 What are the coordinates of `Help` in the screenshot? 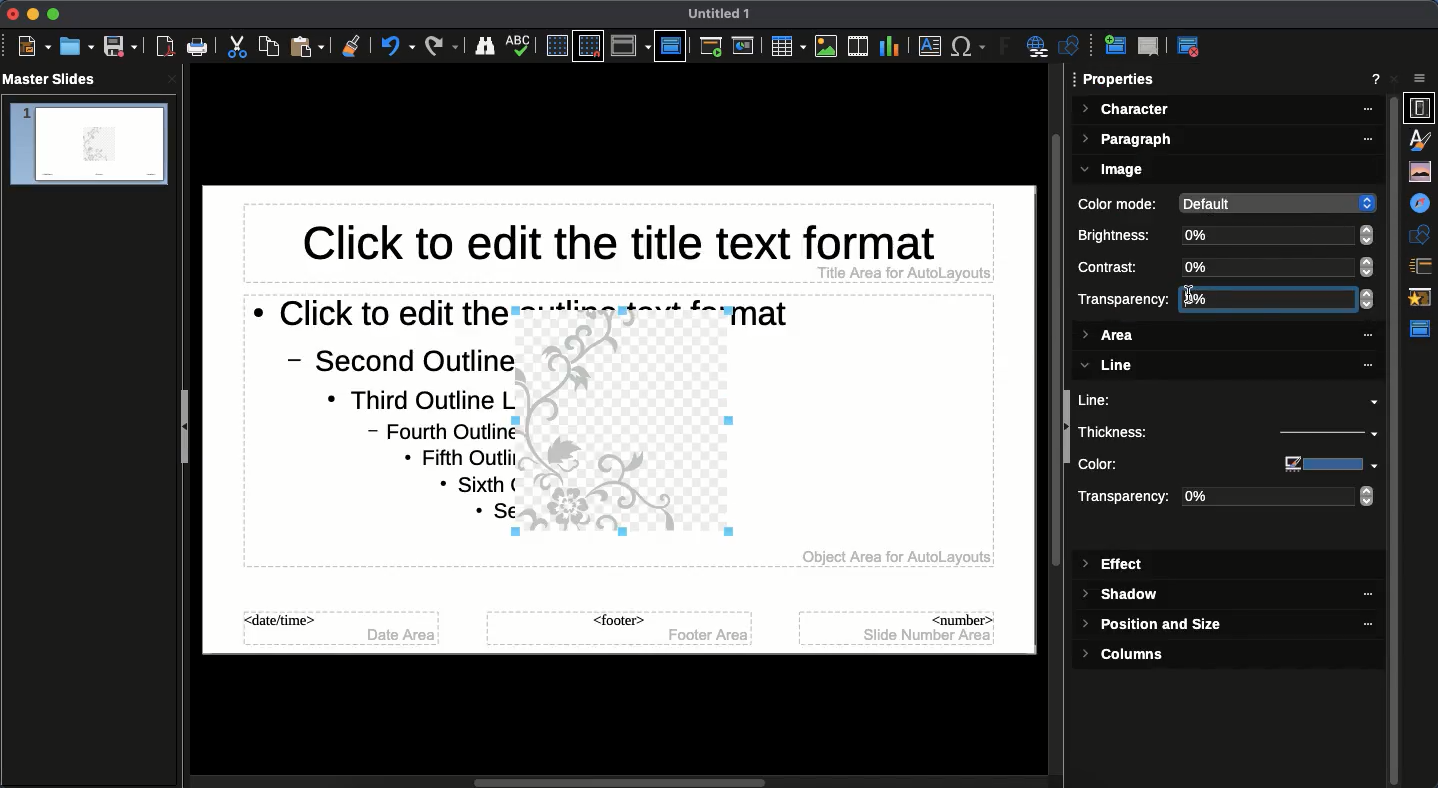 It's located at (1376, 81).